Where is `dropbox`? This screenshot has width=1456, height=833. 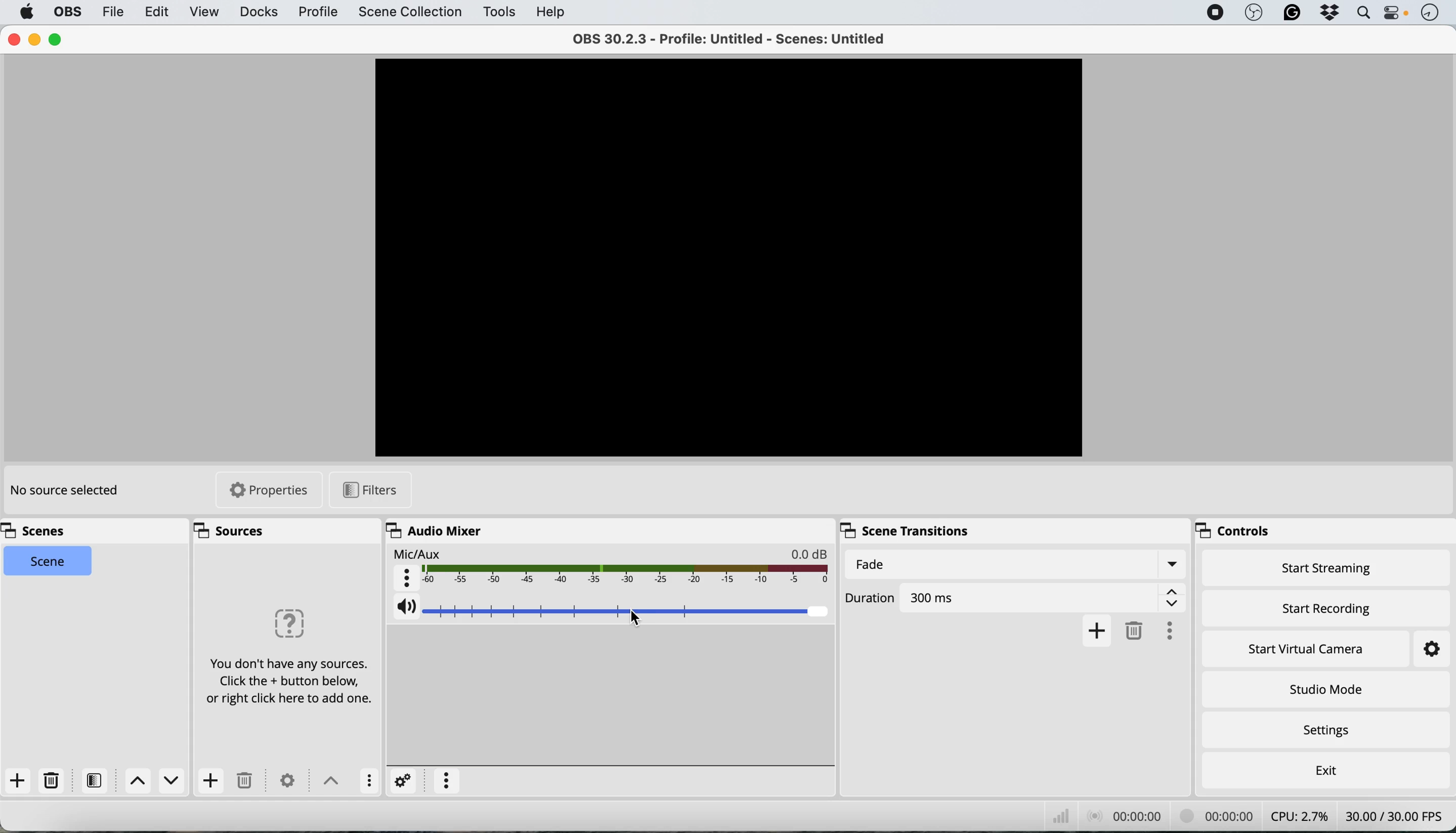 dropbox is located at coordinates (1330, 14).